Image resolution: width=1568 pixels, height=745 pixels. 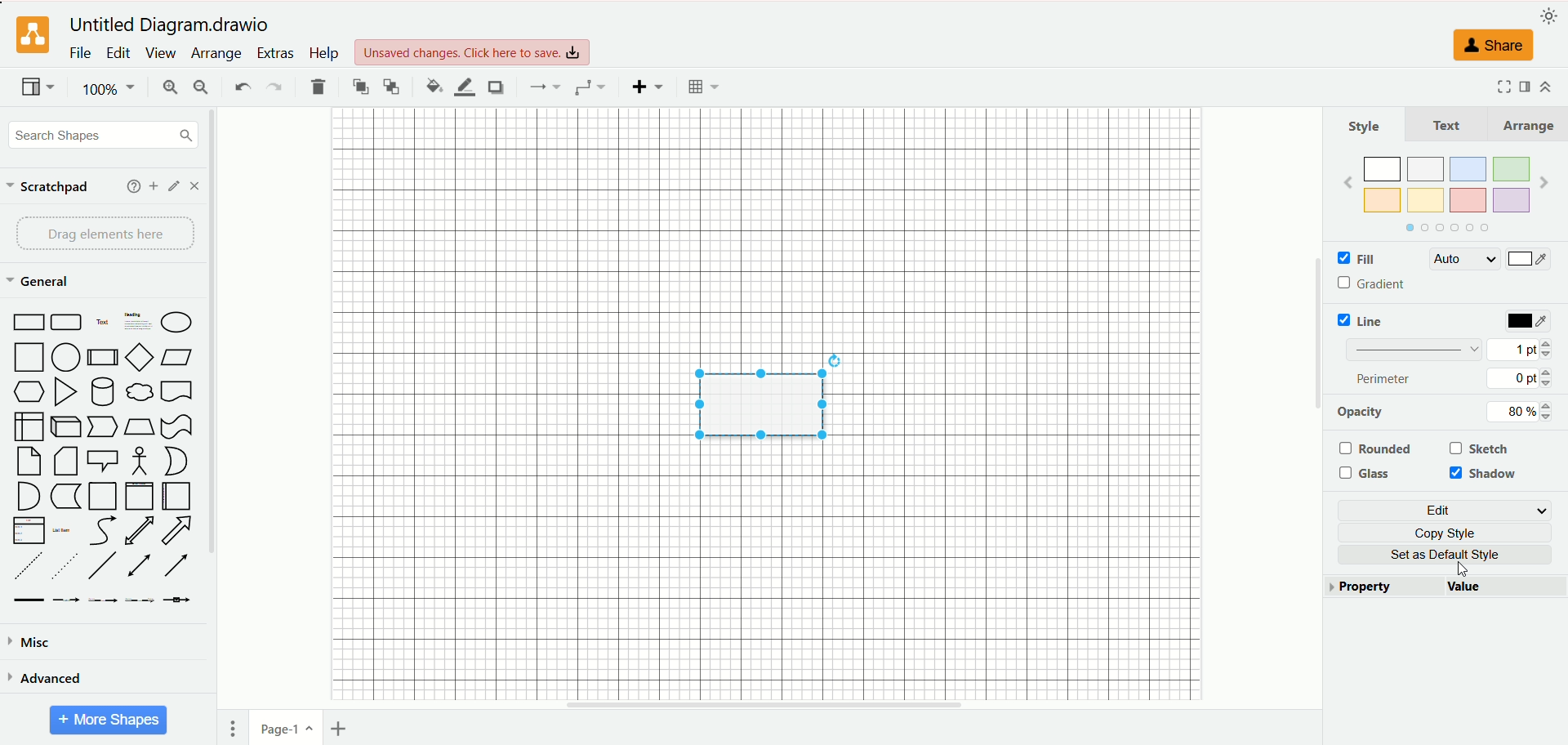 What do you see at coordinates (1453, 555) in the screenshot?
I see `set as default style` at bounding box center [1453, 555].